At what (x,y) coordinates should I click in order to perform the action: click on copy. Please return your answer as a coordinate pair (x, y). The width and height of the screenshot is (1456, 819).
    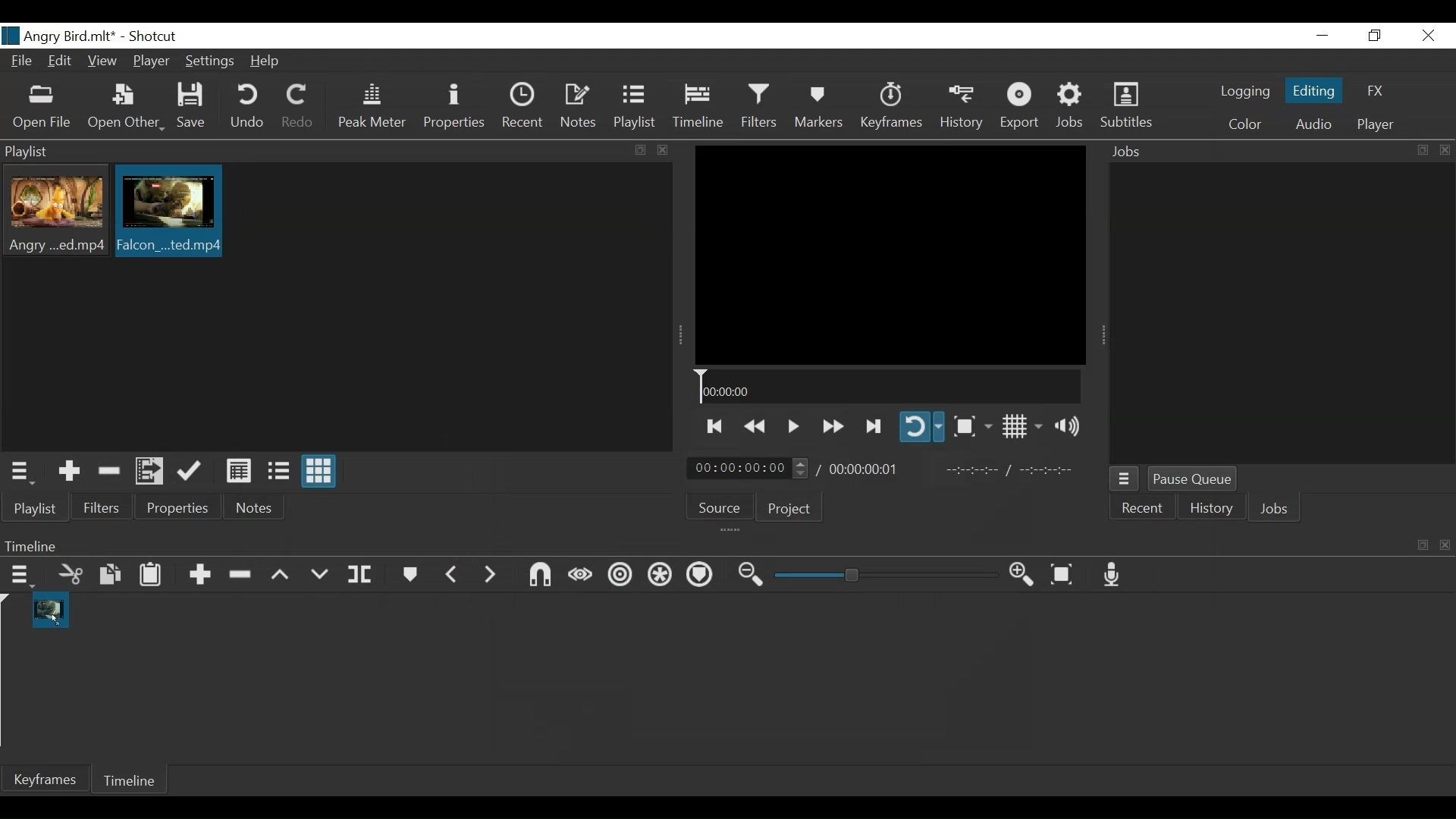
    Looking at the image, I should click on (642, 151).